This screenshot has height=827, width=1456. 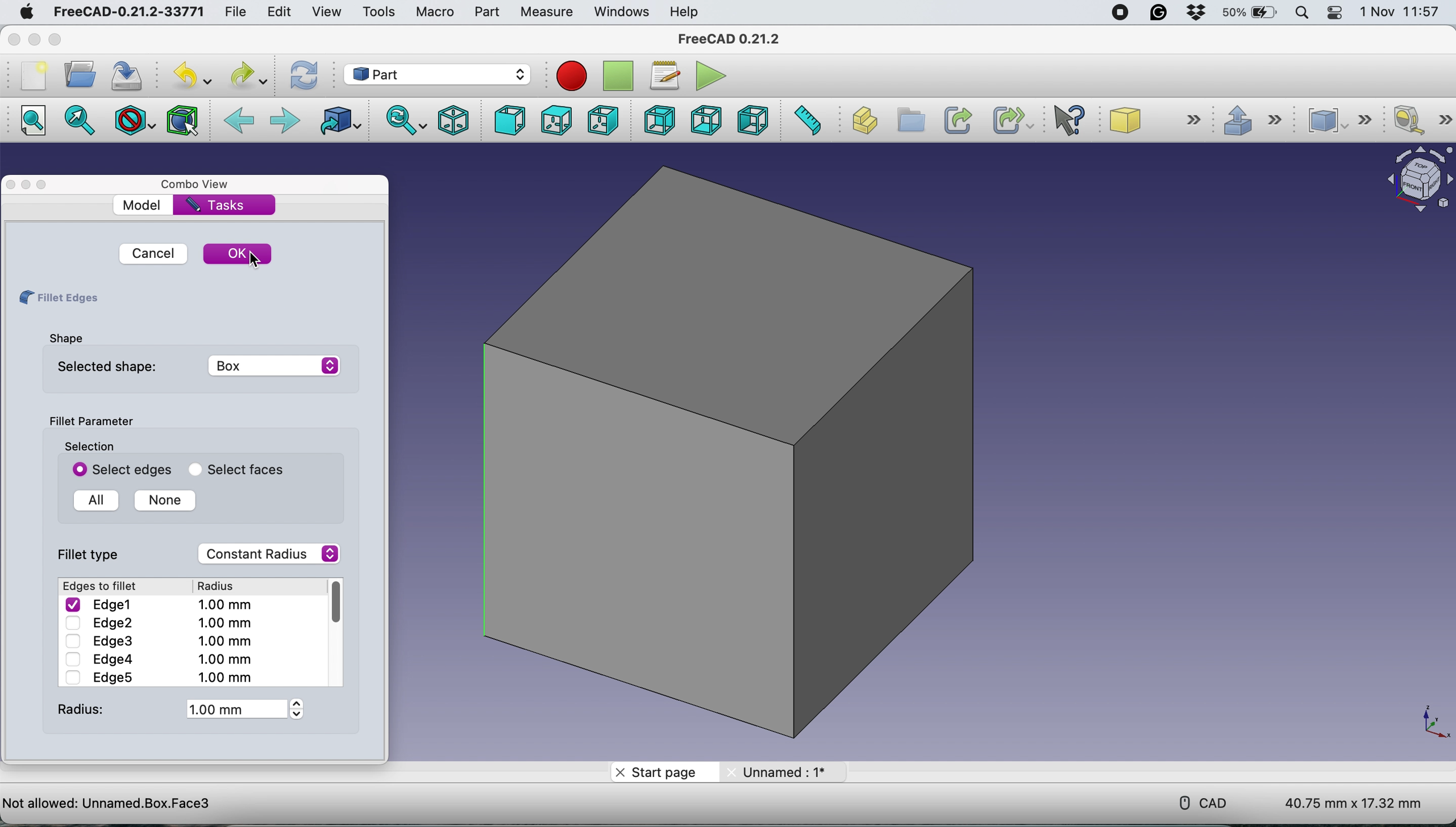 What do you see at coordinates (1162, 13) in the screenshot?
I see `grammarly` at bounding box center [1162, 13].